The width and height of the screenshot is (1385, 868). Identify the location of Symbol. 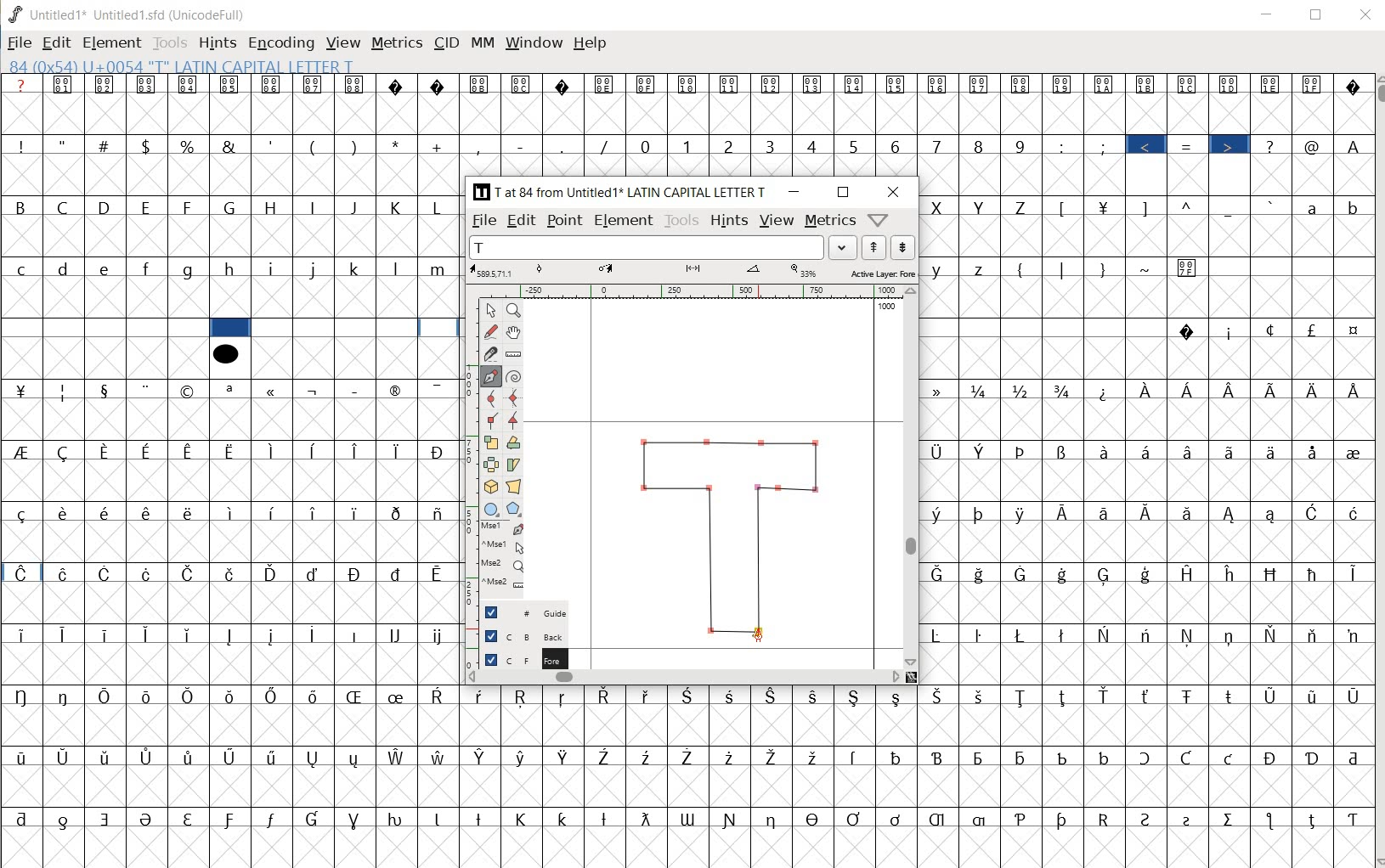
(1066, 513).